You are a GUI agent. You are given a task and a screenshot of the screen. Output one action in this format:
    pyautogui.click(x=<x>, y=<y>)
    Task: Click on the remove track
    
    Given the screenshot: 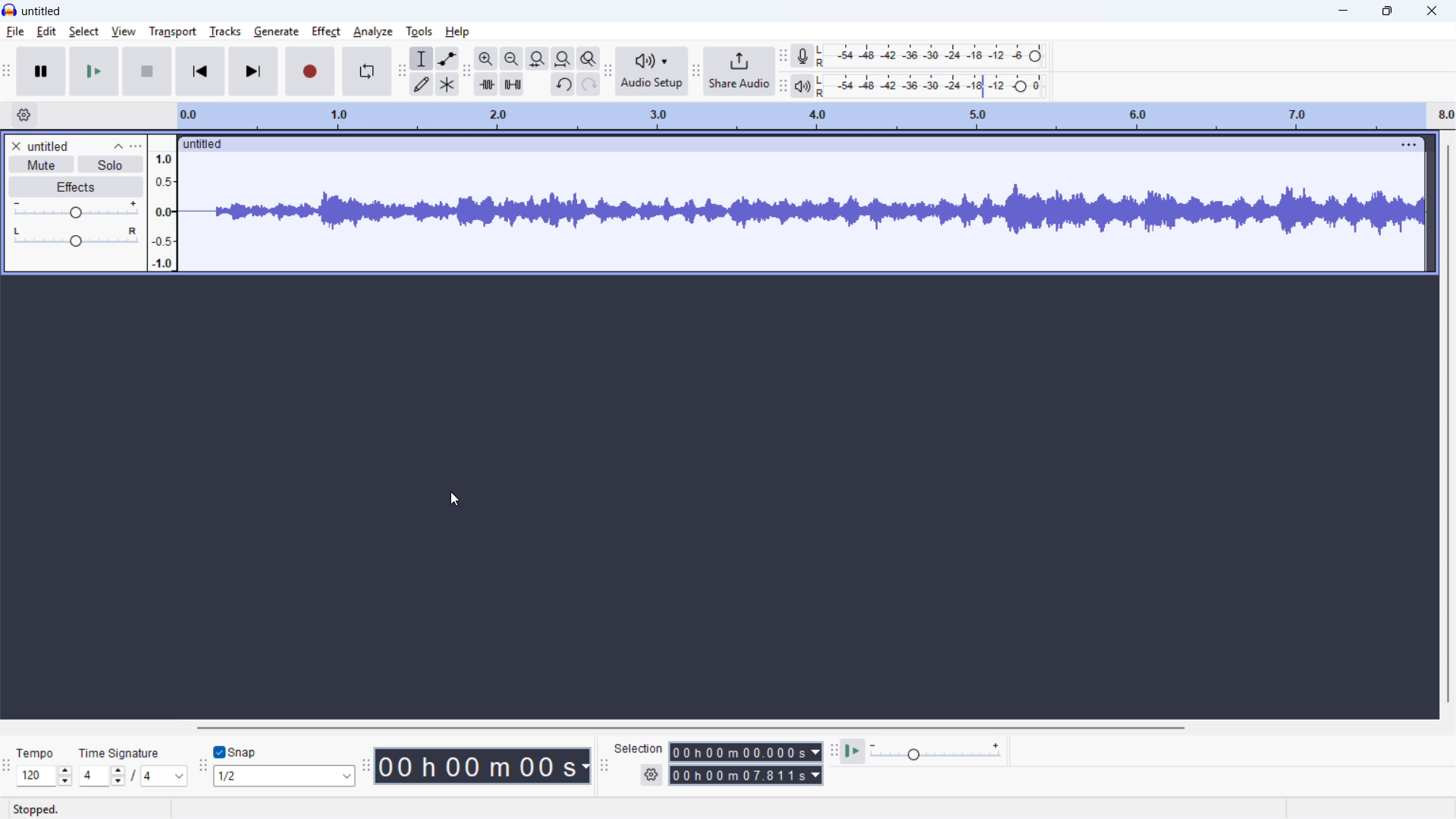 What is the action you would take?
    pyautogui.click(x=16, y=146)
    